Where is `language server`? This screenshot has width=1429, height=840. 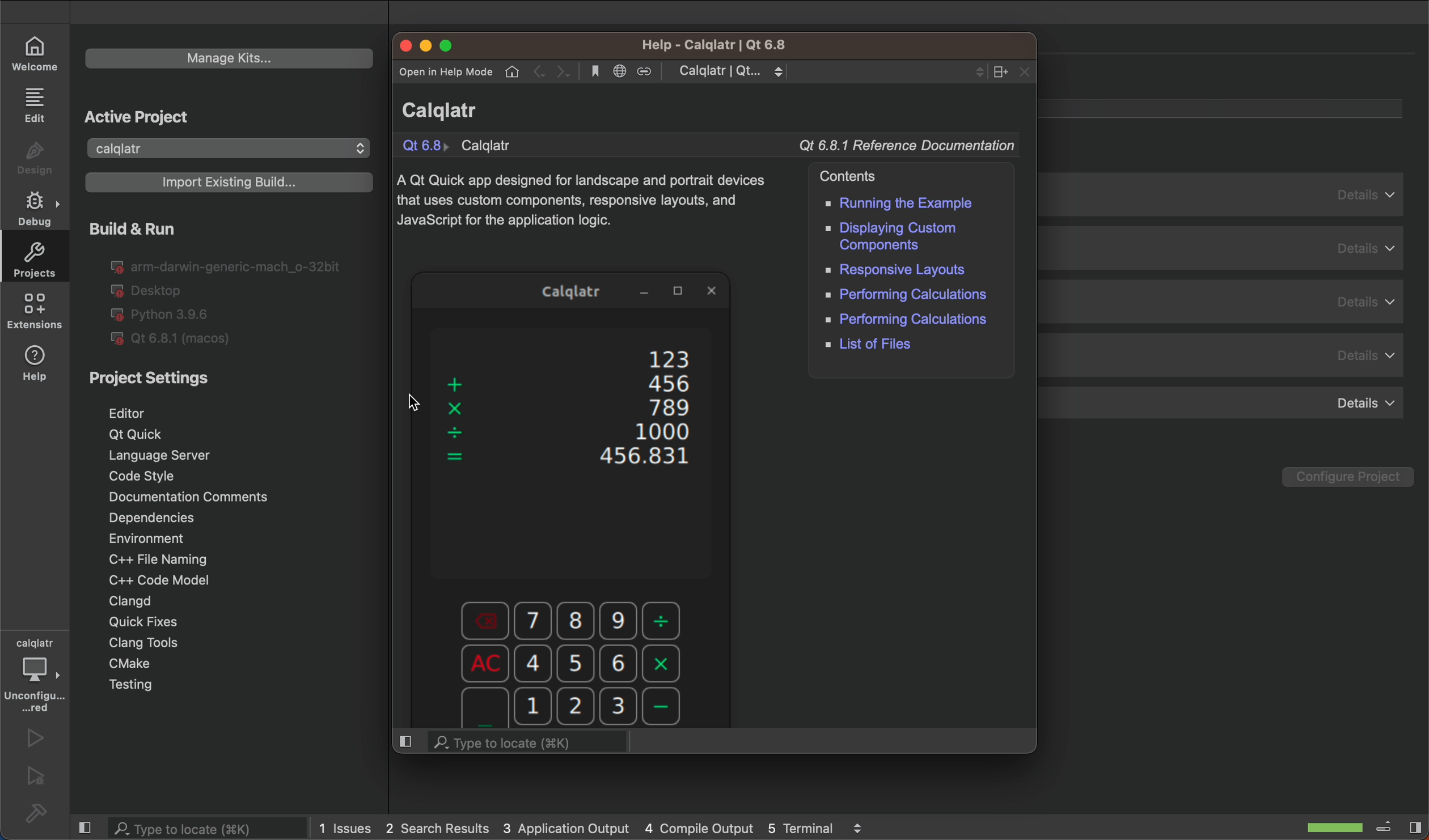 language server is located at coordinates (166, 453).